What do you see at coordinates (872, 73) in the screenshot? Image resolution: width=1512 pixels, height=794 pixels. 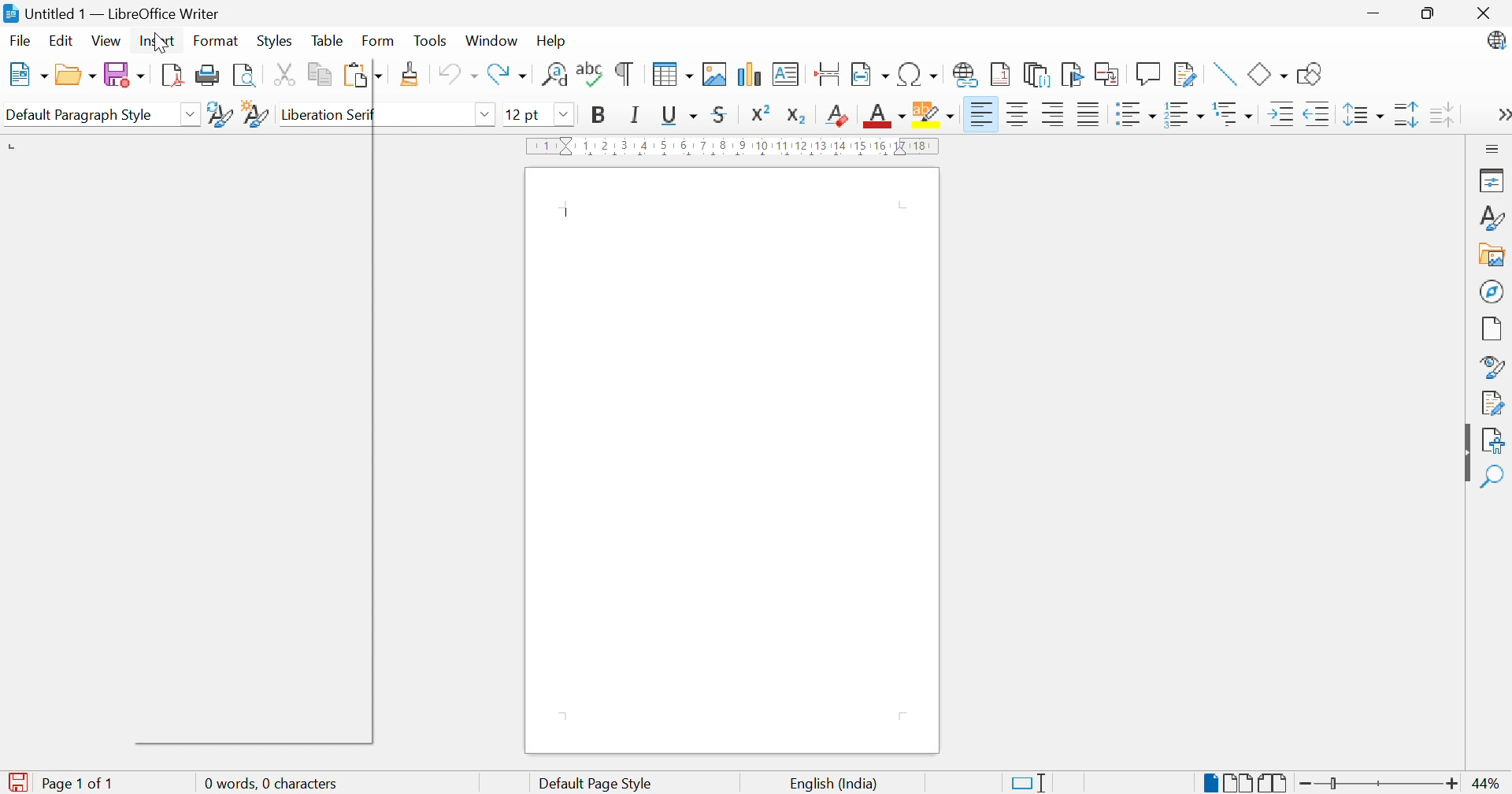 I see `Insert field` at bounding box center [872, 73].